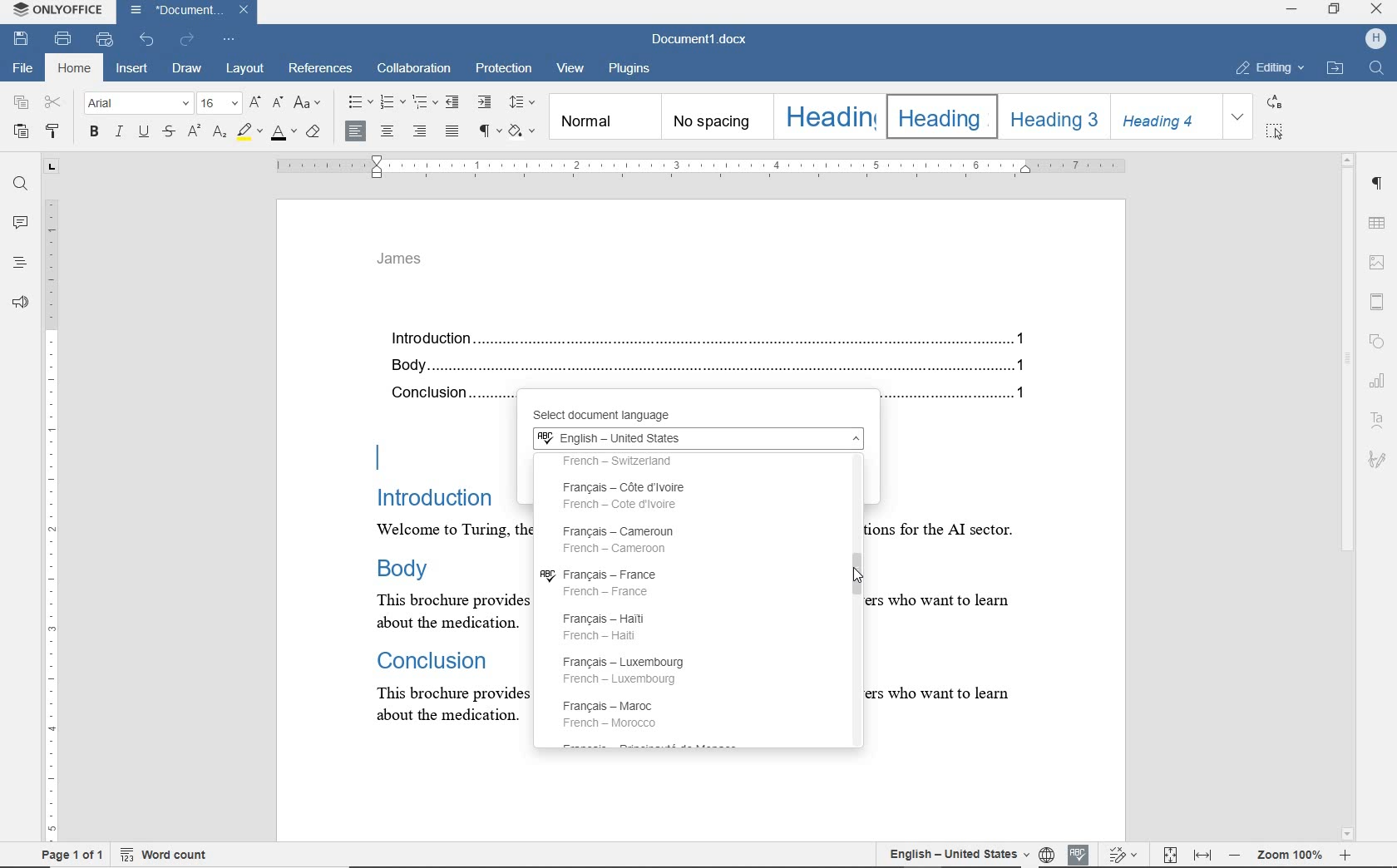 The image size is (1397, 868). What do you see at coordinates (1375, 9) in the screenshot?
I see `CLOSE` at bounding box center [1375, 9].